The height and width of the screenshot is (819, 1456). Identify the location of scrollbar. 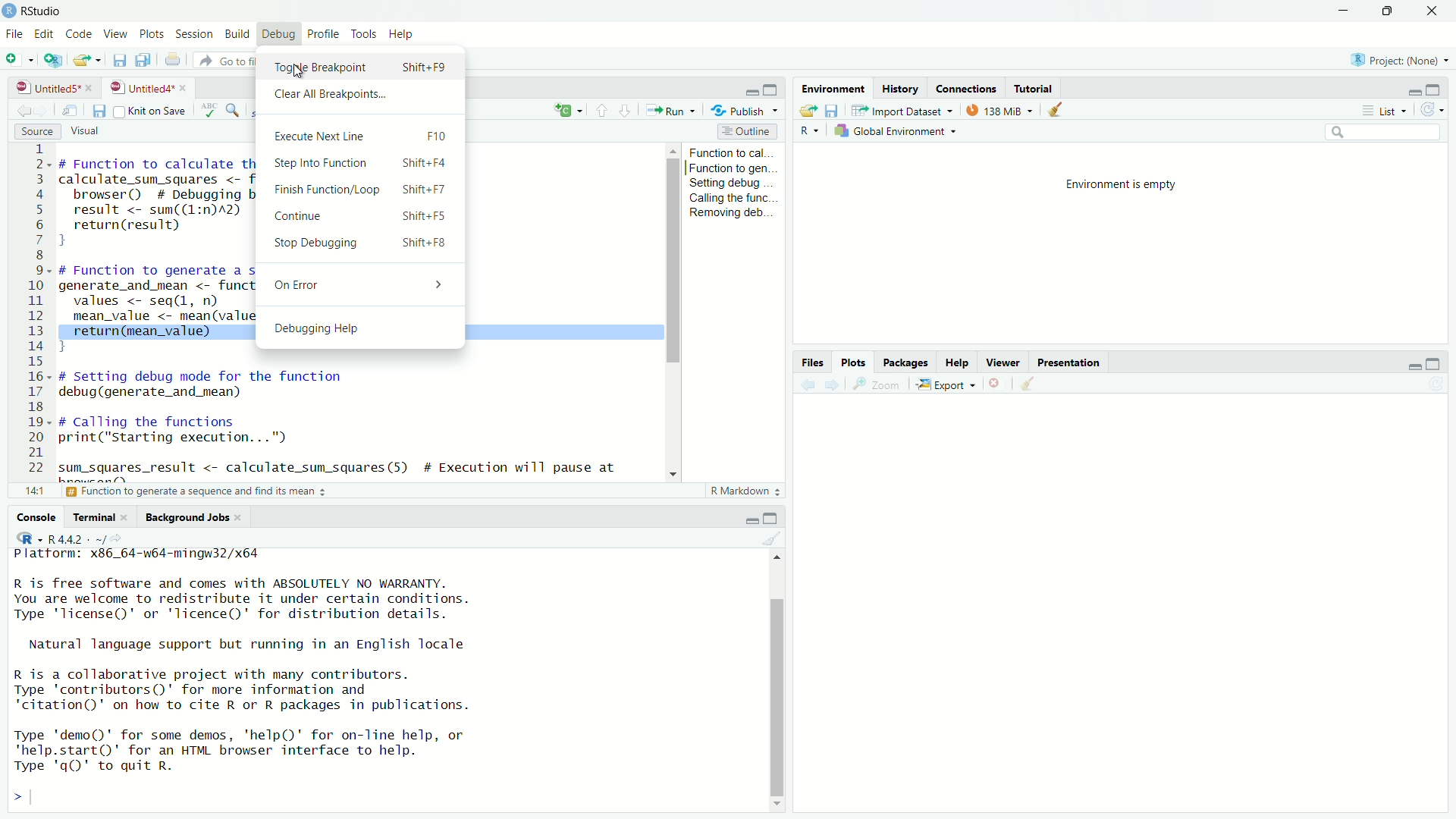
(672, 310).